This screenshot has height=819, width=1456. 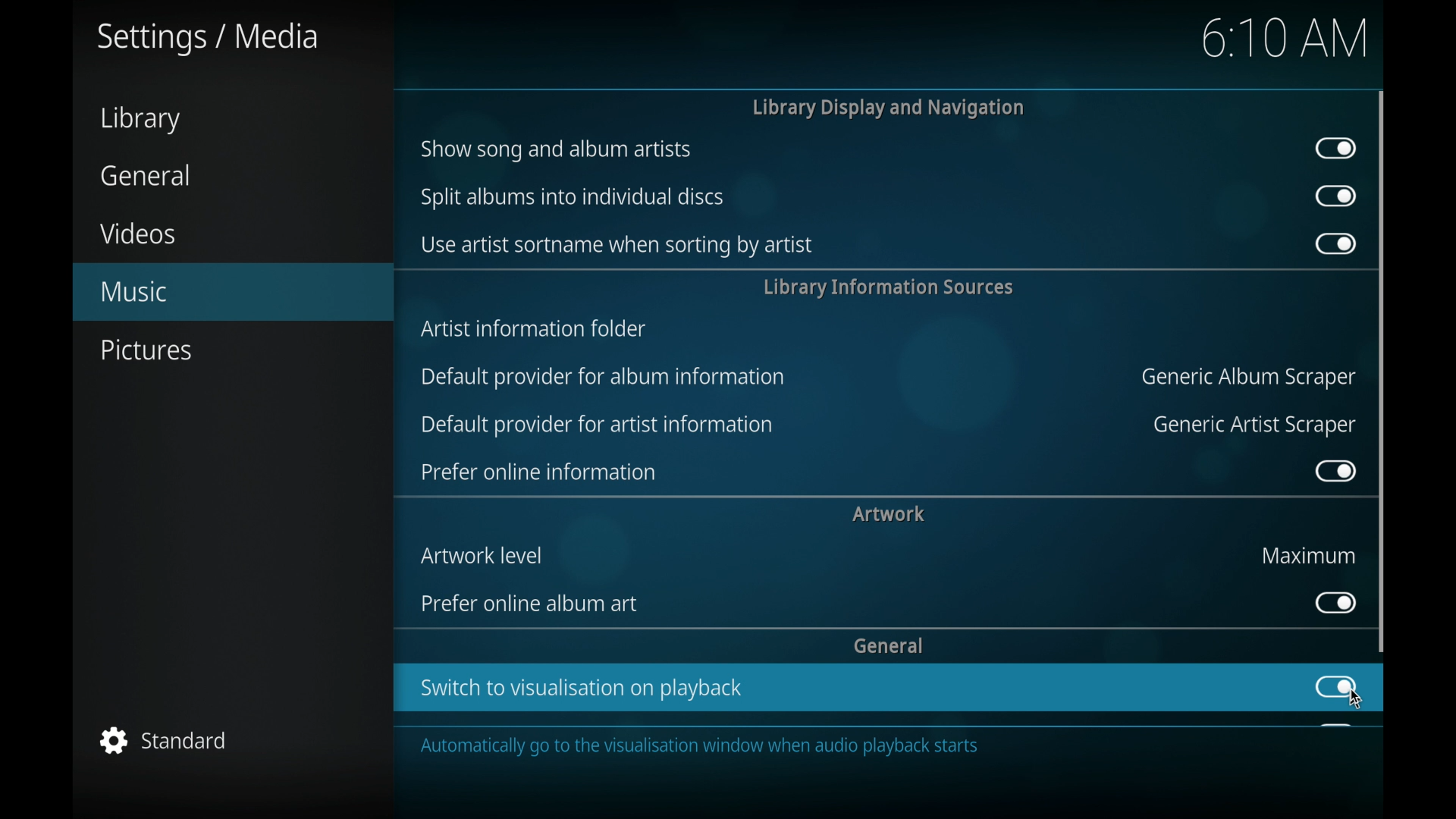 I want to click on use artist, so click(x=615, y=246).